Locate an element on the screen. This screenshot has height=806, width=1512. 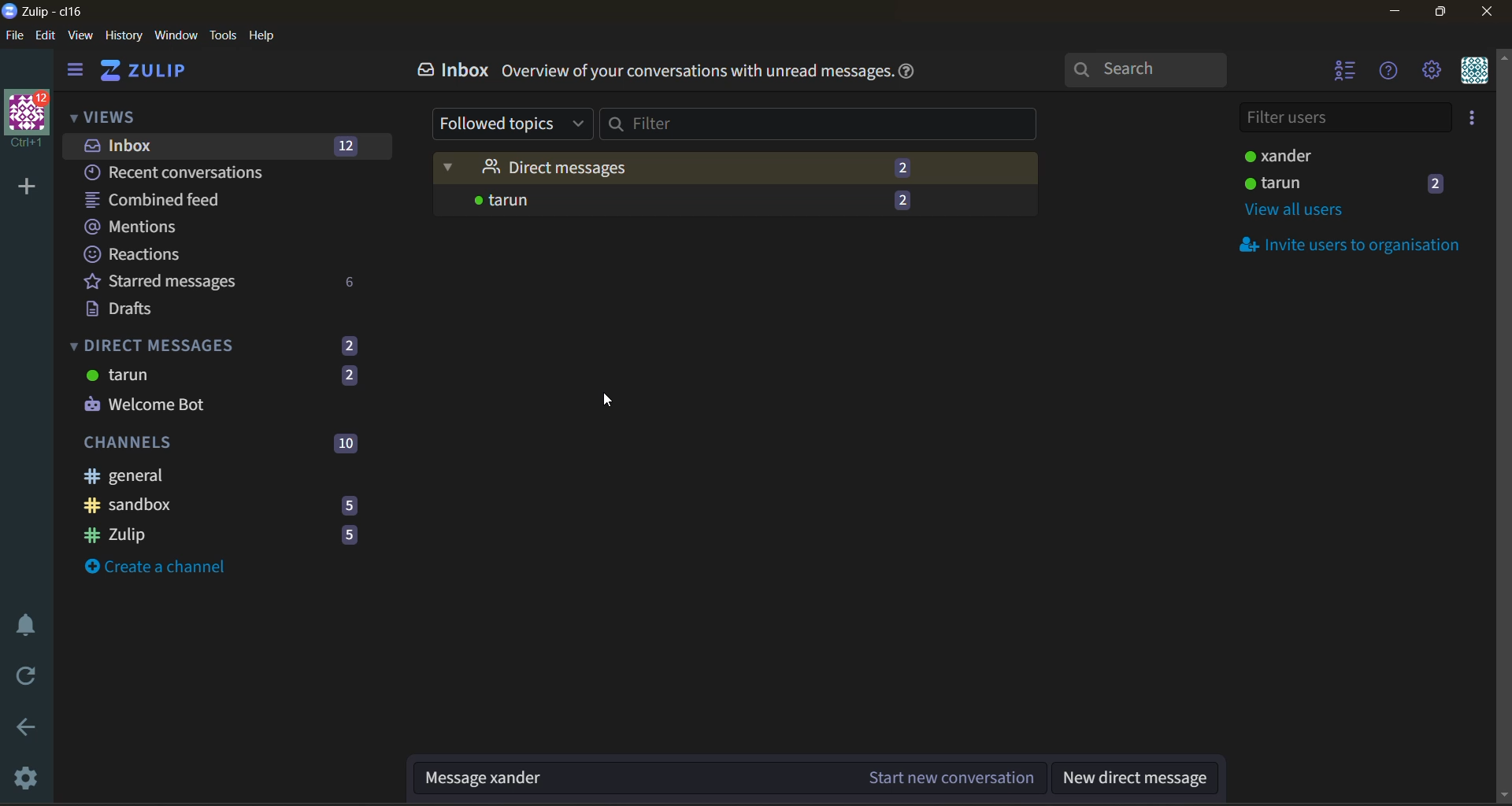
inbox 12 is located at coordinates (217, 144).